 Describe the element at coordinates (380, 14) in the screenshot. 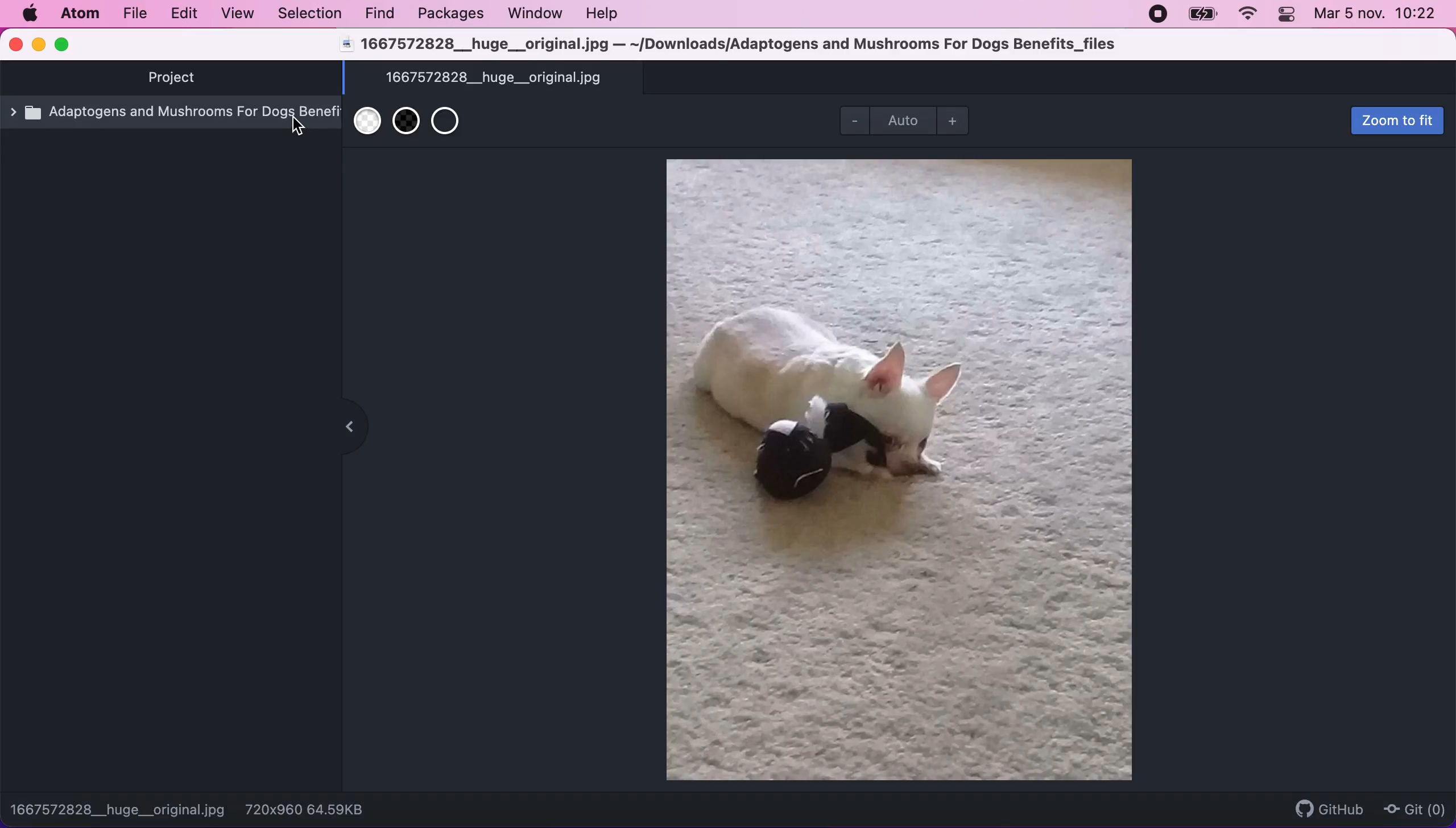

I see `find` at that location.